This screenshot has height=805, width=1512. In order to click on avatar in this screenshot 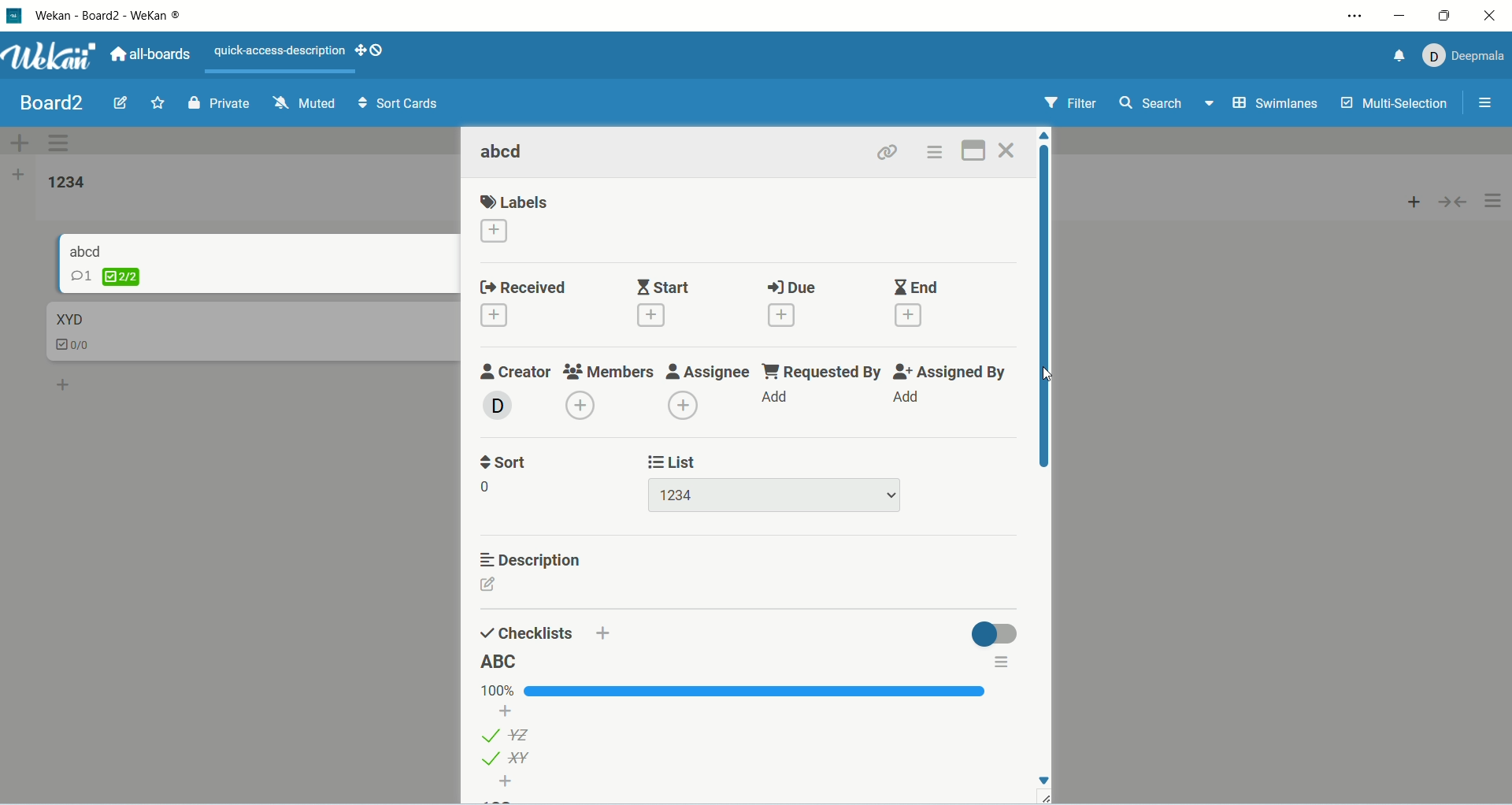, I will do `click(498, 403)`.